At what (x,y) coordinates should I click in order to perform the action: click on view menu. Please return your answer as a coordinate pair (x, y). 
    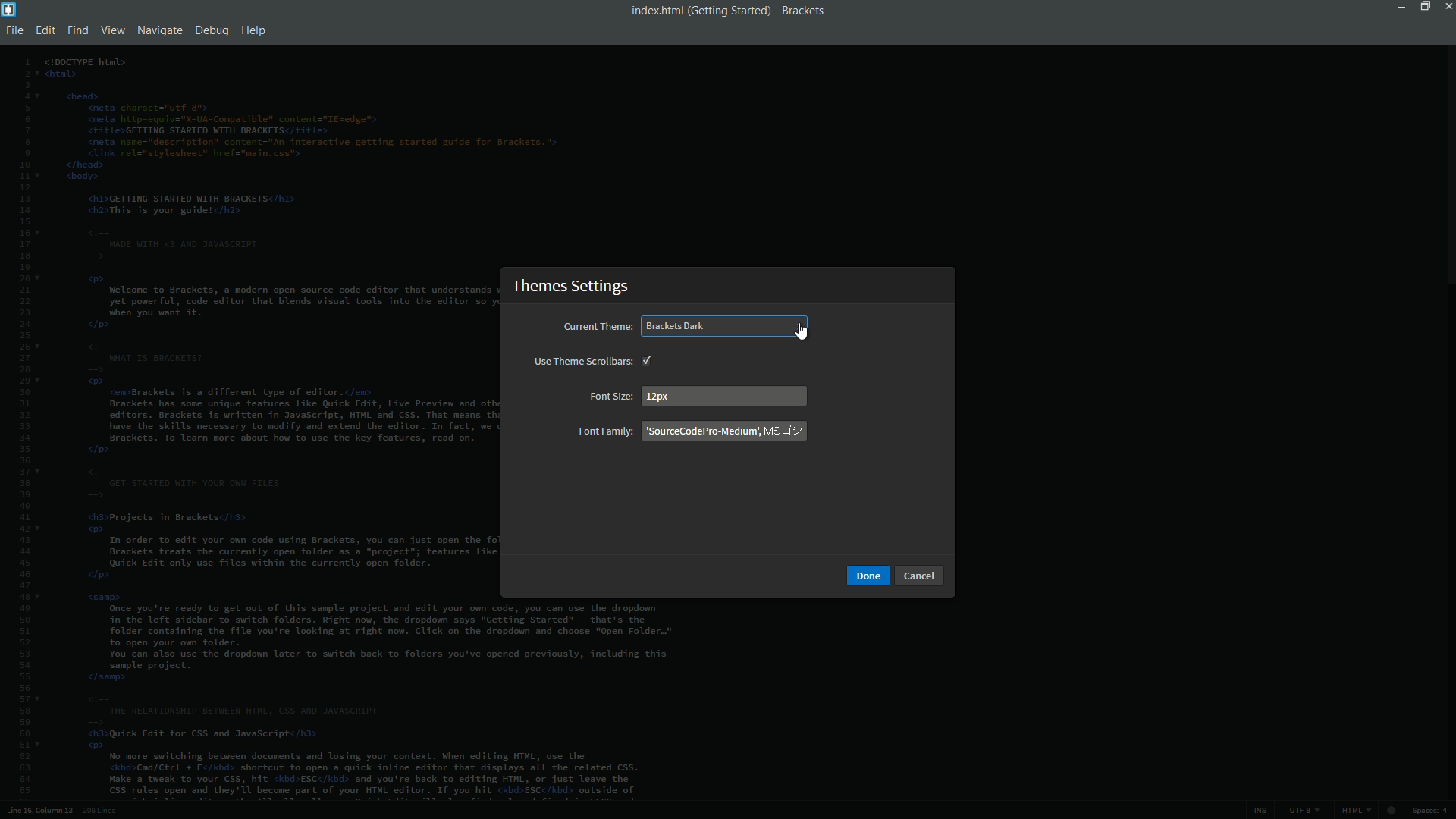
    Looking at the image, I should click on (113, 31).